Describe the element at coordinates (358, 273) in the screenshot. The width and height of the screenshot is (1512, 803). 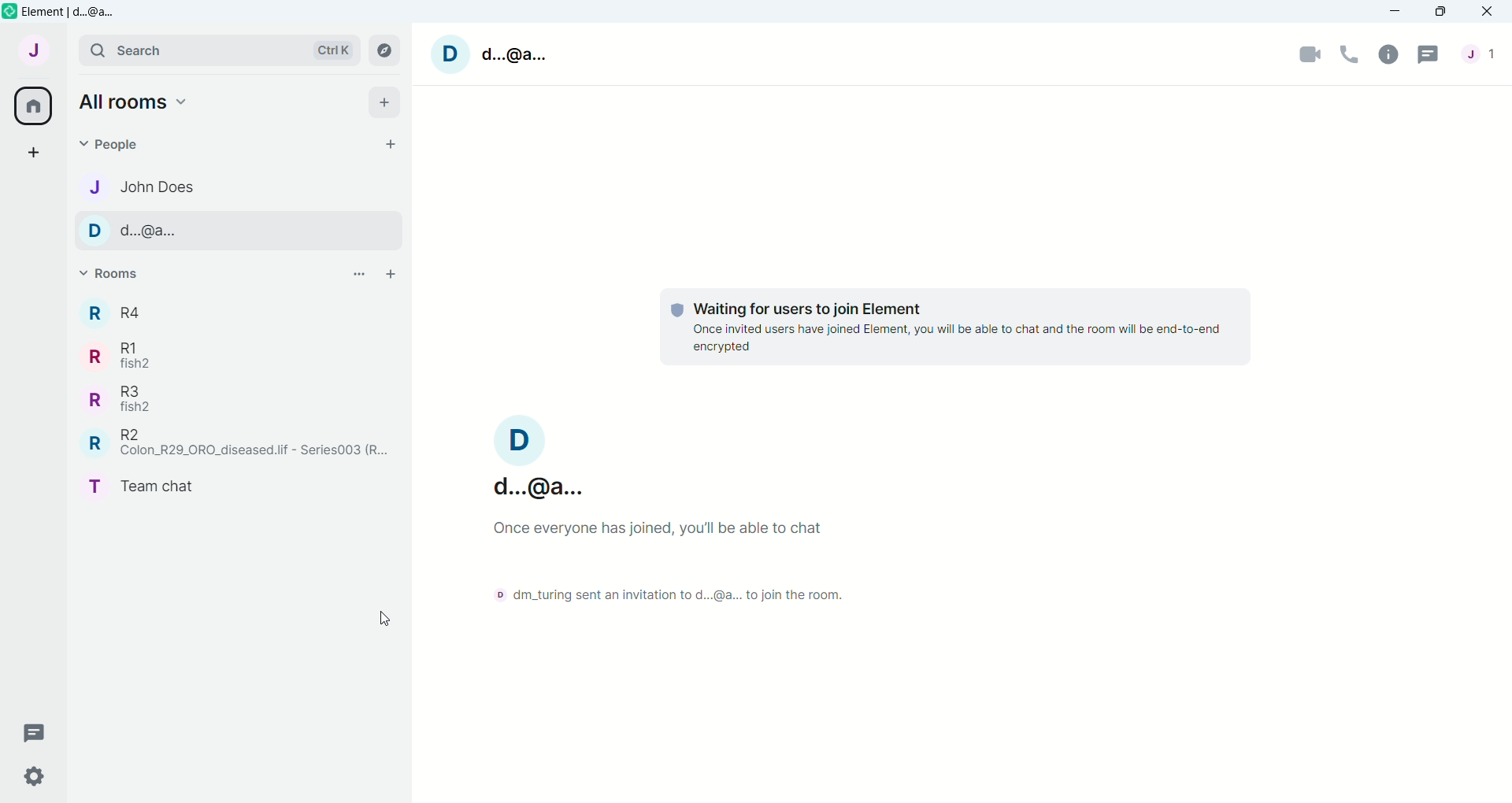
I see `List options` at that location.